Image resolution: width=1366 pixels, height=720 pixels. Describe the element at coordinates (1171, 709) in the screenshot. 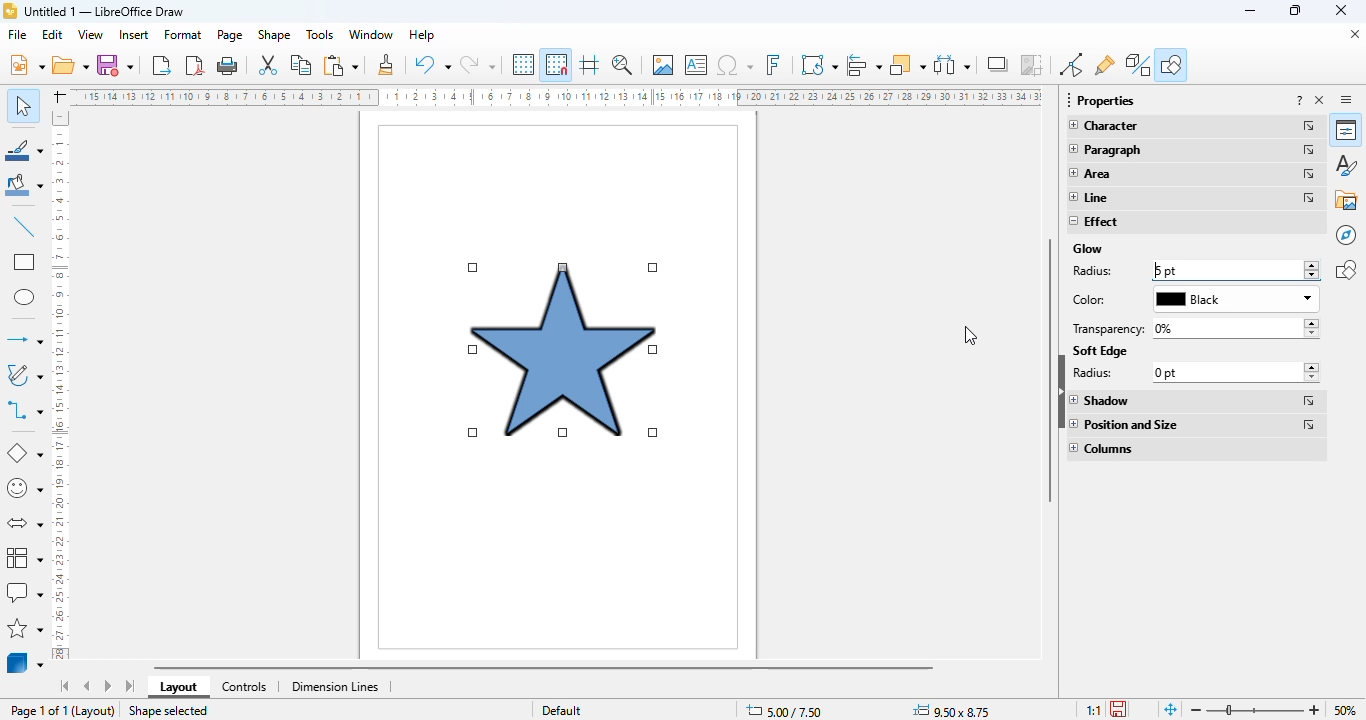

I see `fit page to current window` at that location.